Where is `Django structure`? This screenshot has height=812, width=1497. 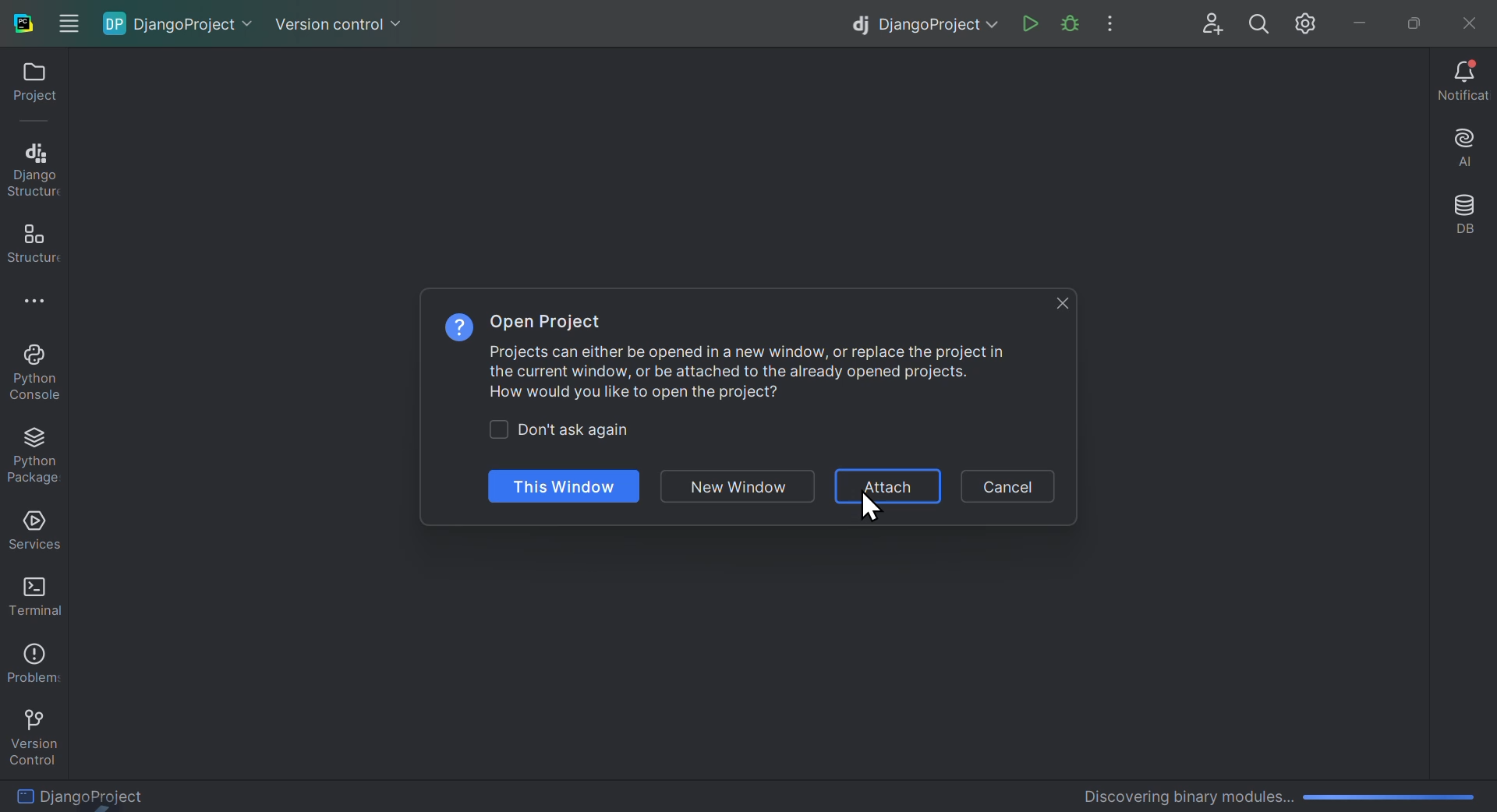 Django structure is located at coordinates (33, 167).